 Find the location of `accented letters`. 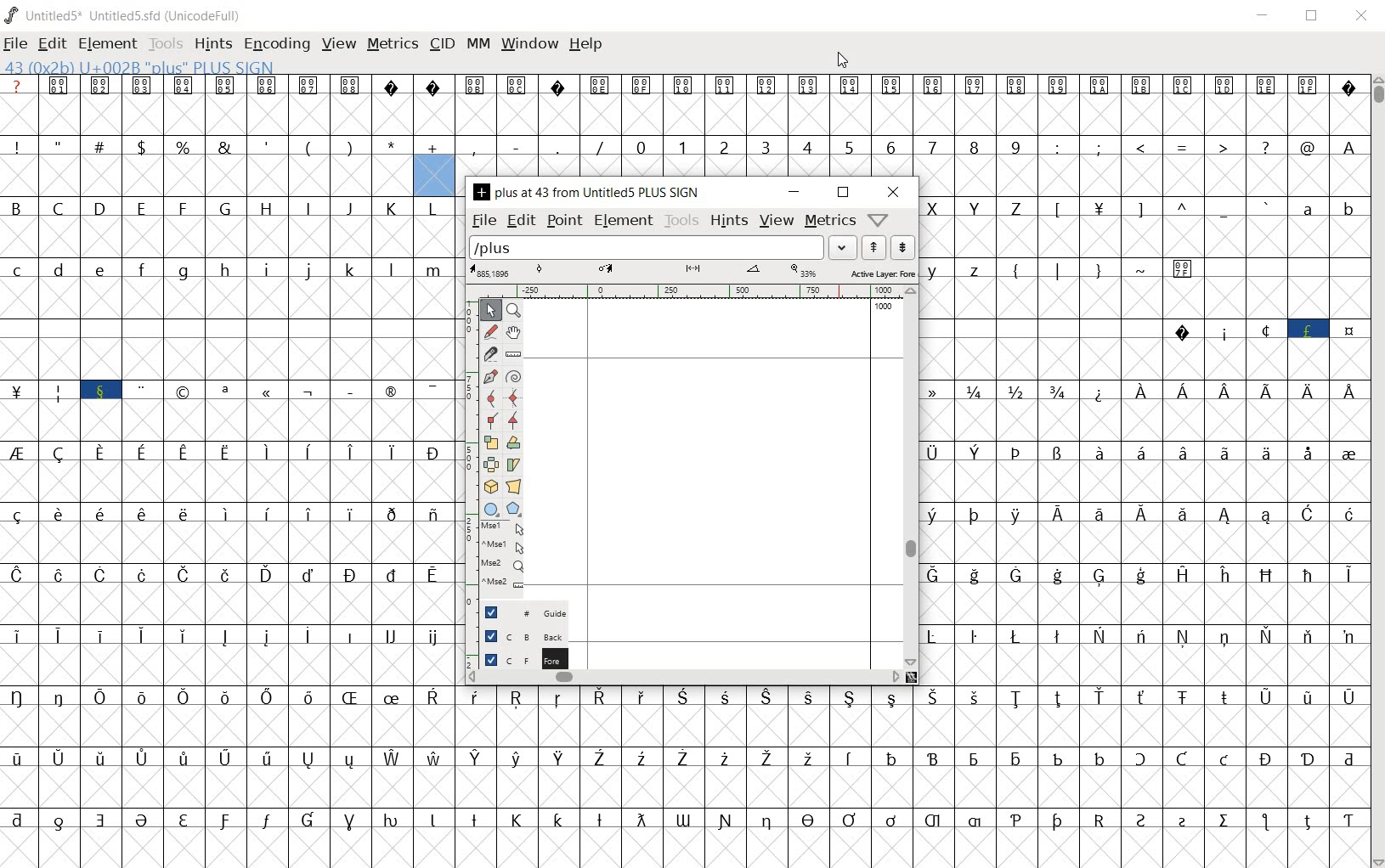

accented letters is located at coordinates (247, 593).